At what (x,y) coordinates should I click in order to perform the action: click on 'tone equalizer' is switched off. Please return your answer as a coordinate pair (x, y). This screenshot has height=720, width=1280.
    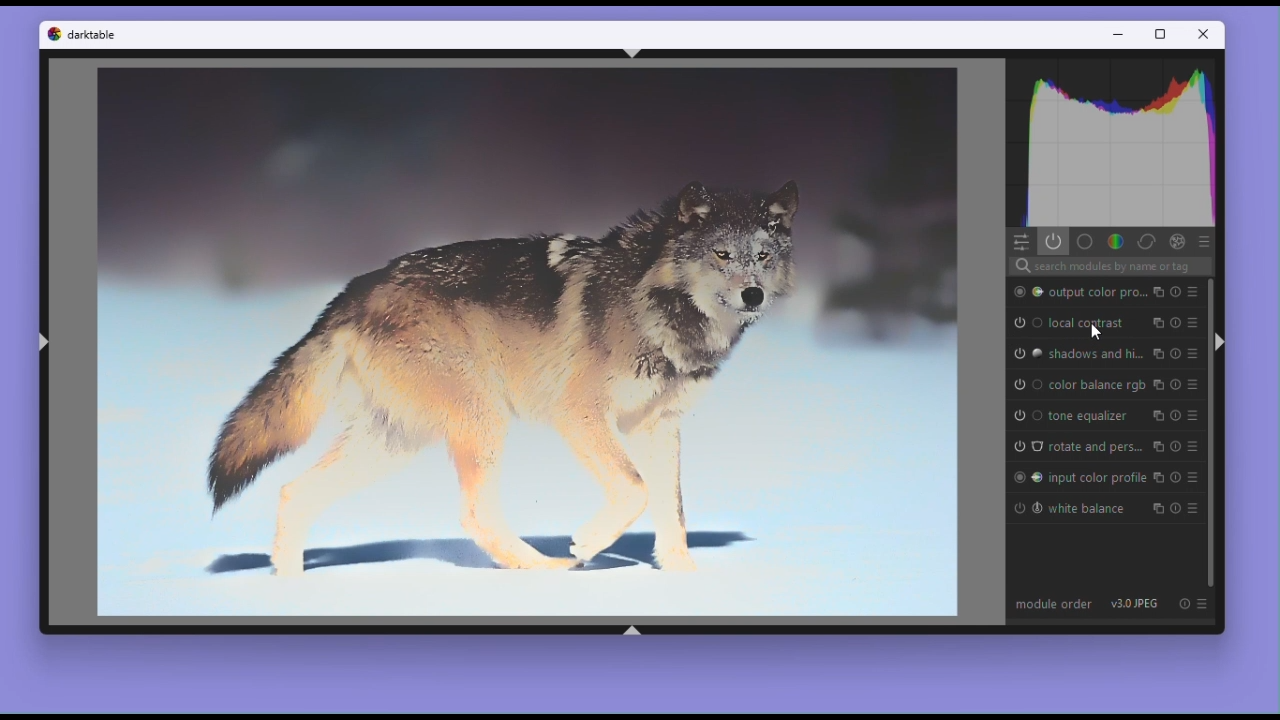
    Looking at the image, I should click on (1024, 413).